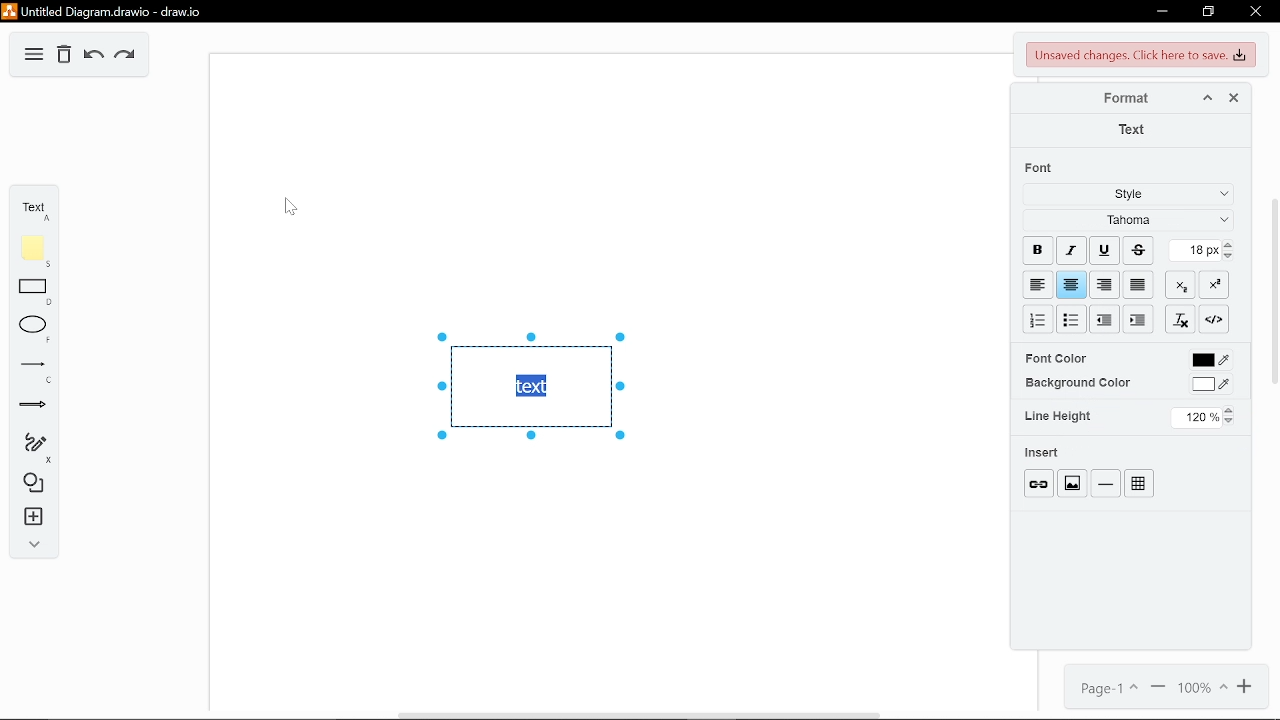 The width and height of the screenshot is (1280, 720). Describe the element at coordinates (29, 484) in the screenshot. I see `shapes` at that location.